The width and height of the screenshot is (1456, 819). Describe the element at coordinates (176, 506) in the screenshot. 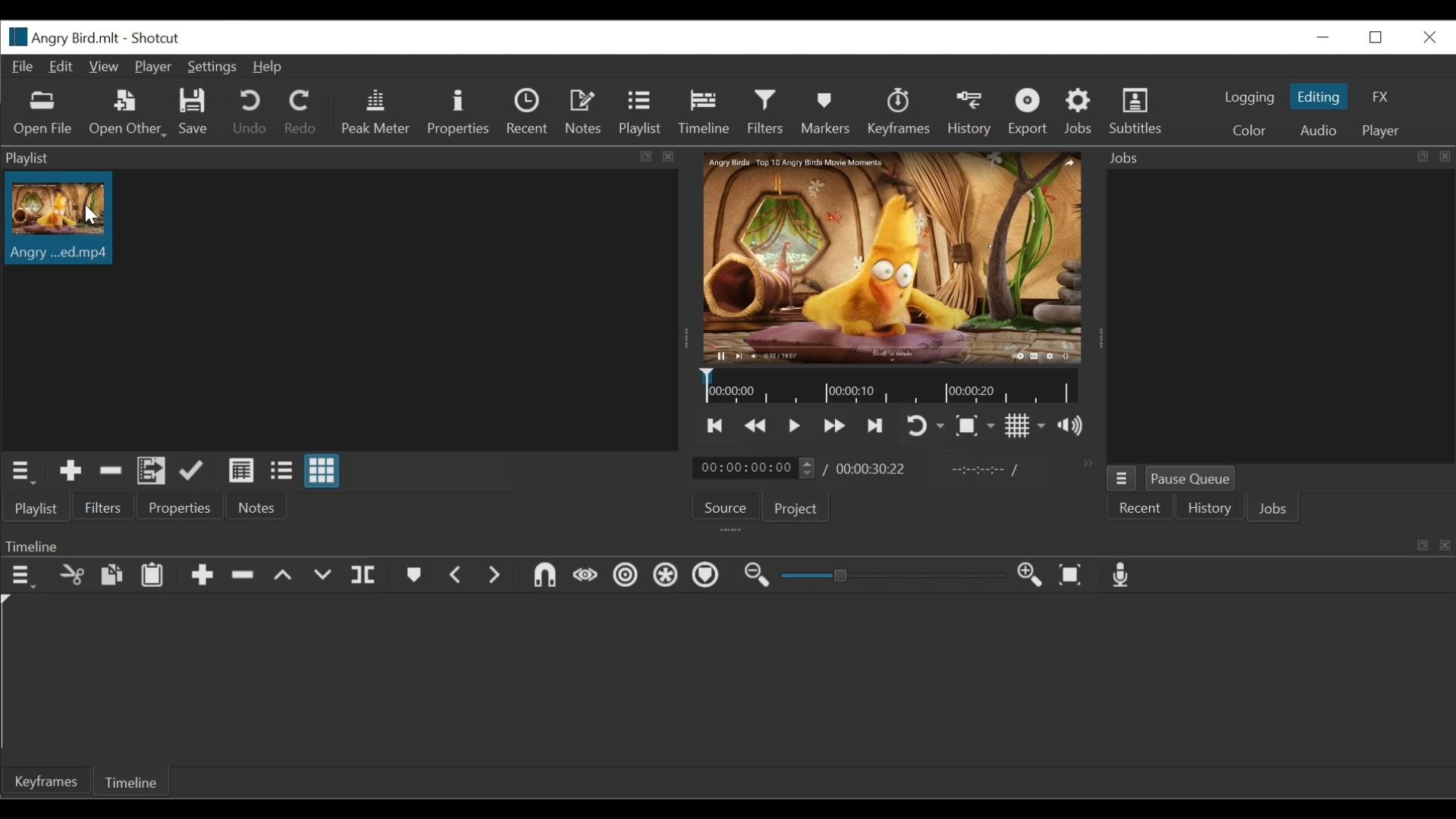

I see `Properties` at that location.